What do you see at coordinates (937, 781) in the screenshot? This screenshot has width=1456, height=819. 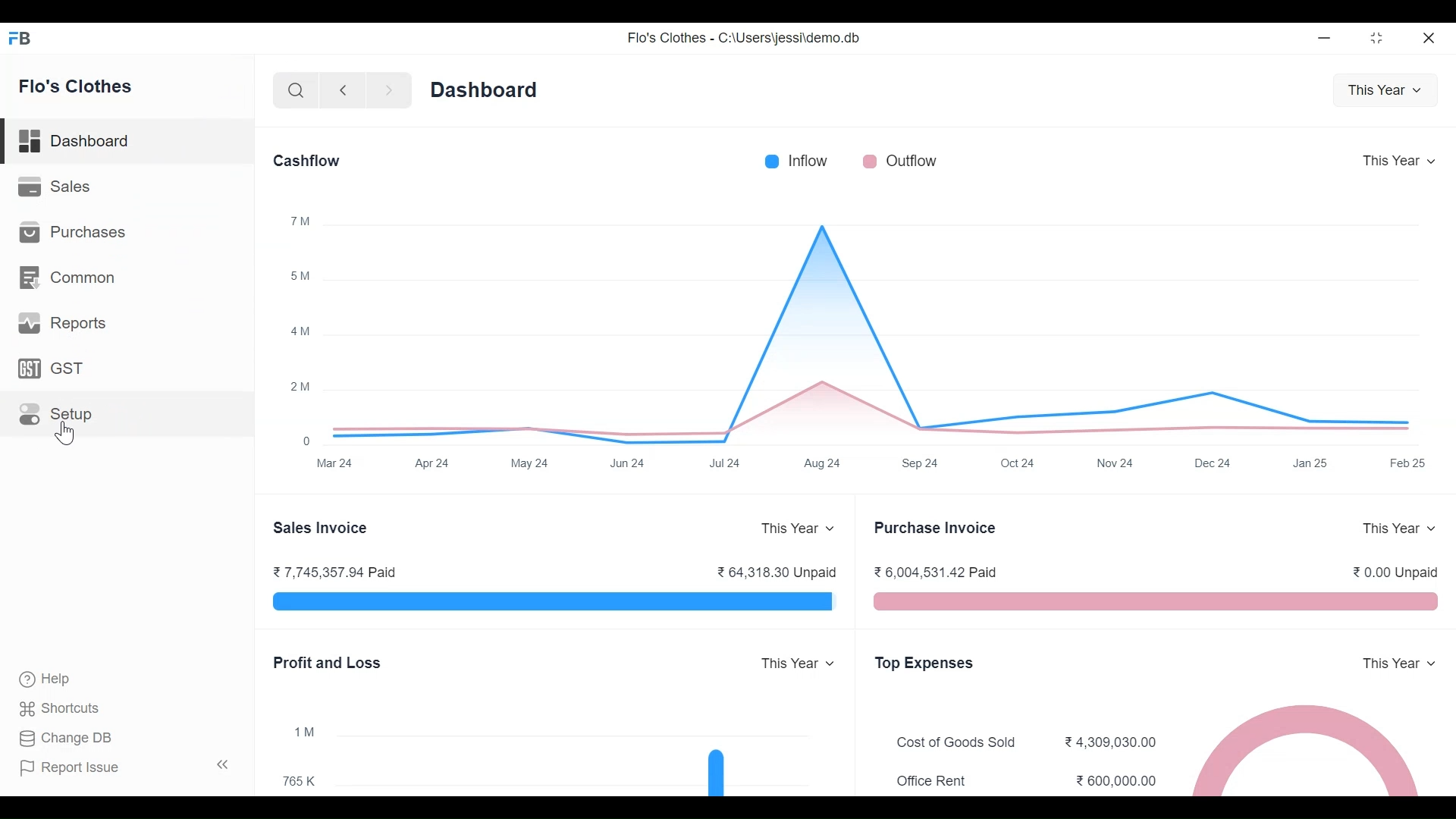 I see `Office Rent` at bounding box center [937, 781].